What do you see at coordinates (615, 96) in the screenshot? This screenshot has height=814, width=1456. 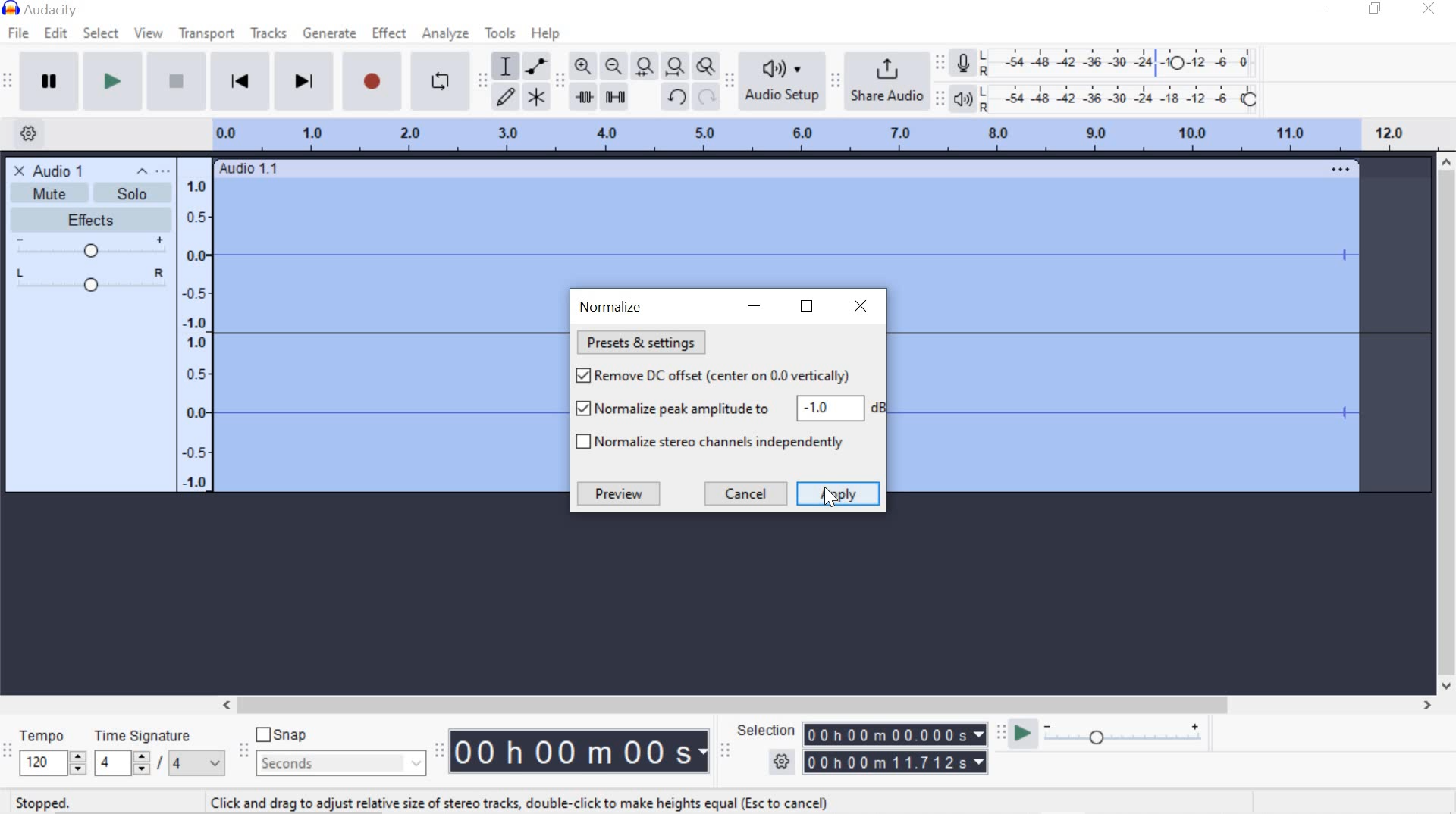 I see `Silence audio selection` at bounding box center [615, 96].